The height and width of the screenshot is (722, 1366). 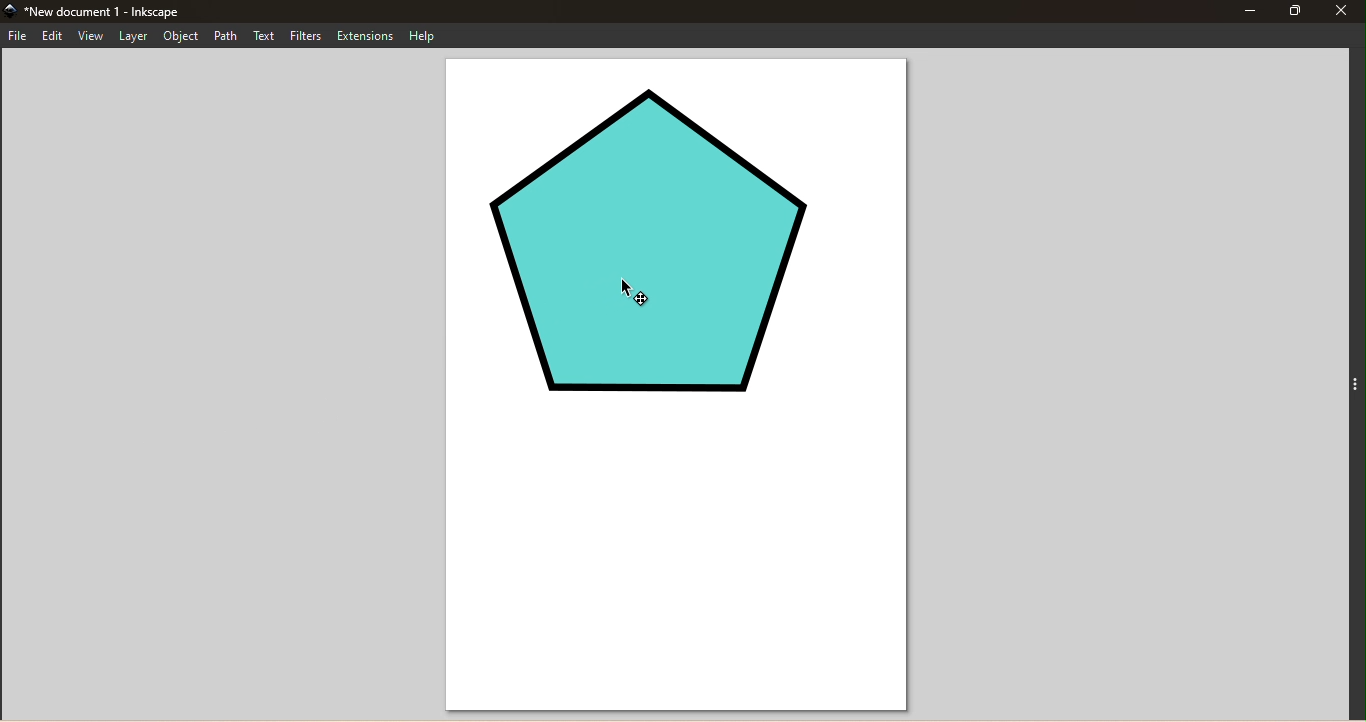 What do you see at coordinates (1344, 10) in the screenshot?
I see `Close` at bounding box center [1344, 10].